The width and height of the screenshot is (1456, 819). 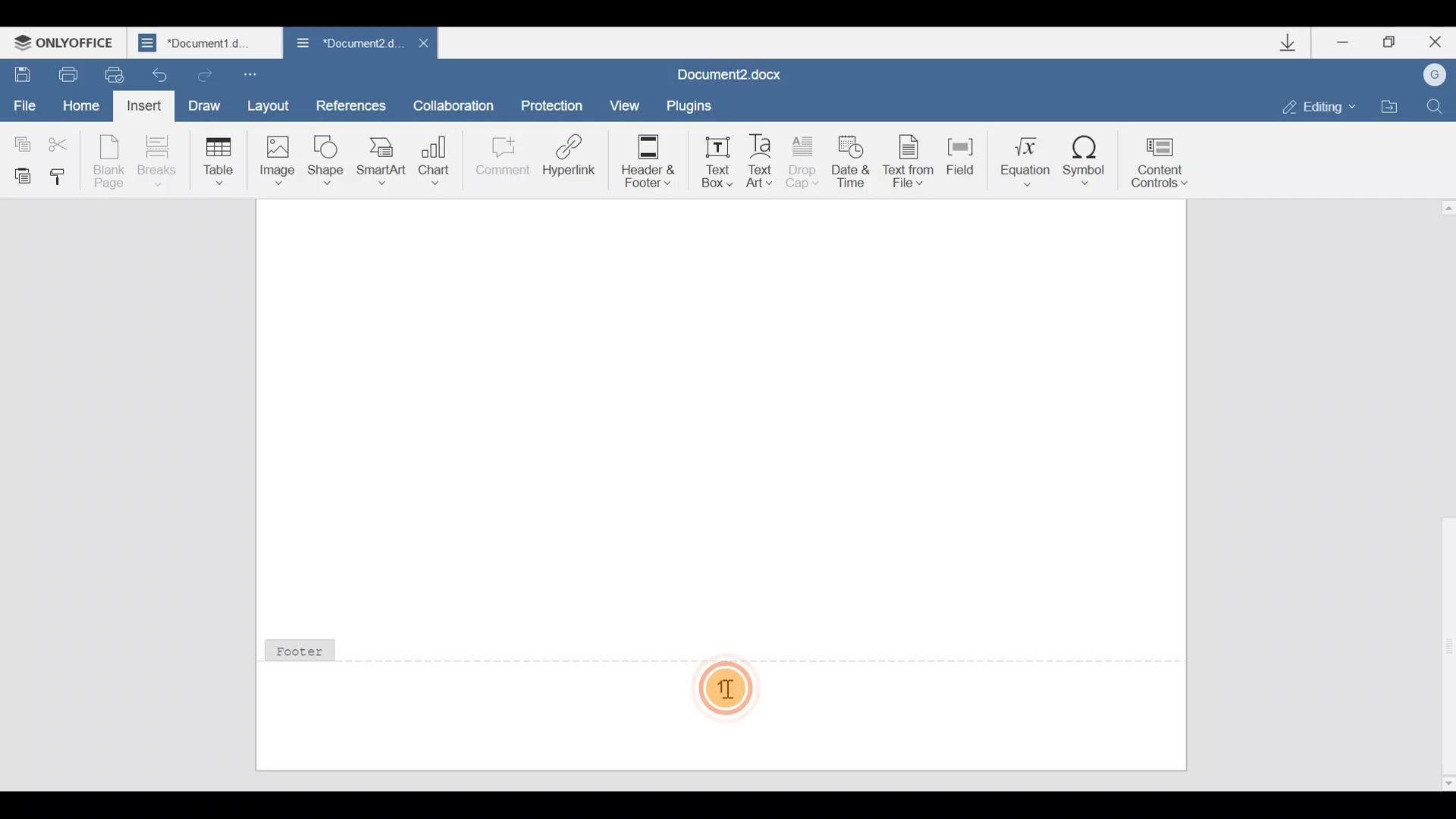 I want to click on Comment, so click(x=500, y=159).